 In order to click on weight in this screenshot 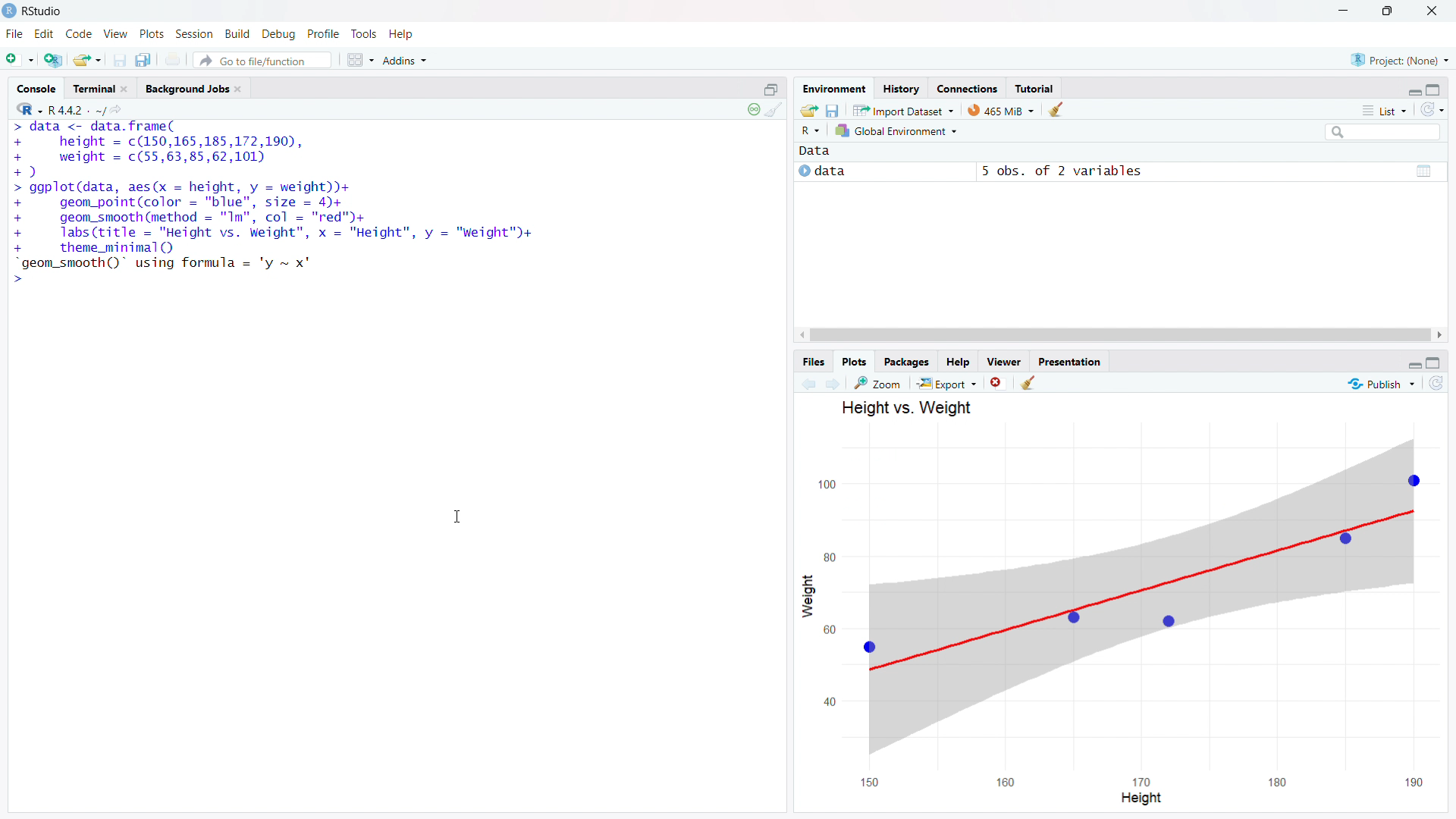, I will do `click(808, 597)`.